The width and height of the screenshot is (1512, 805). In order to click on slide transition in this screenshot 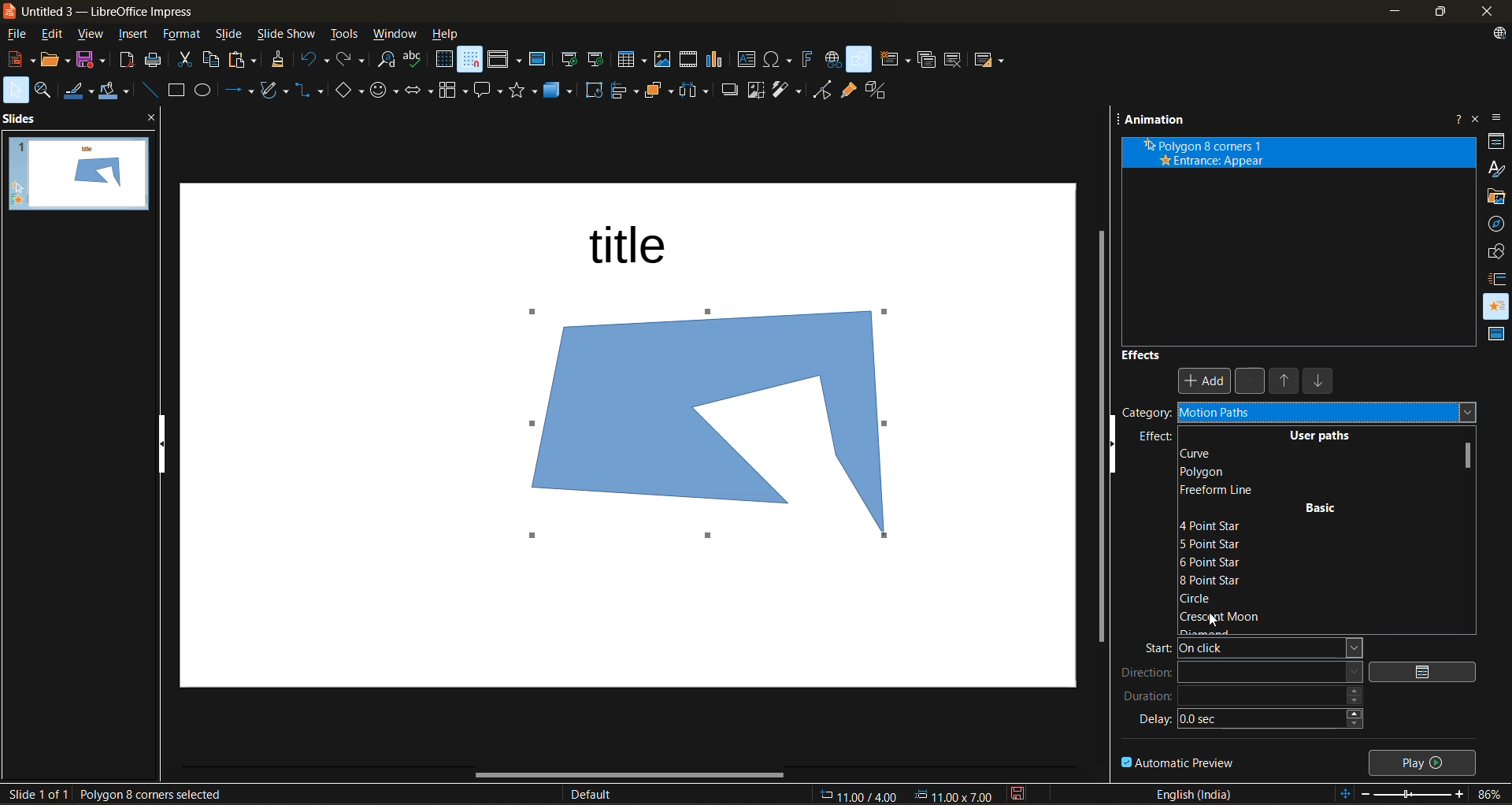, I will do `click(1495, 276)`.